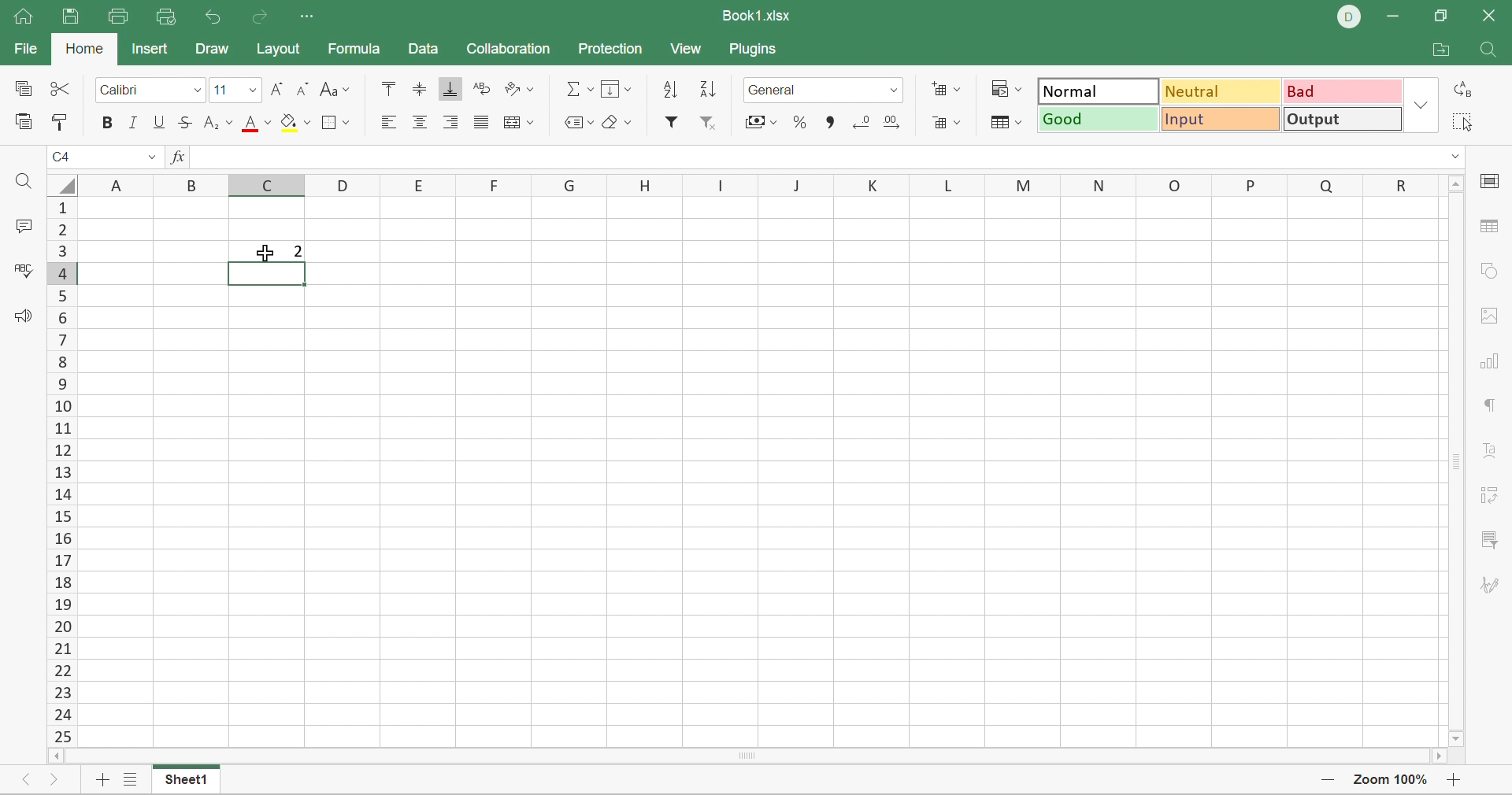 This screenshot has width=1512, height=795. Describe the element at coordinates (1451, 155) in the screenshot. I see `Drop Down` at that location.